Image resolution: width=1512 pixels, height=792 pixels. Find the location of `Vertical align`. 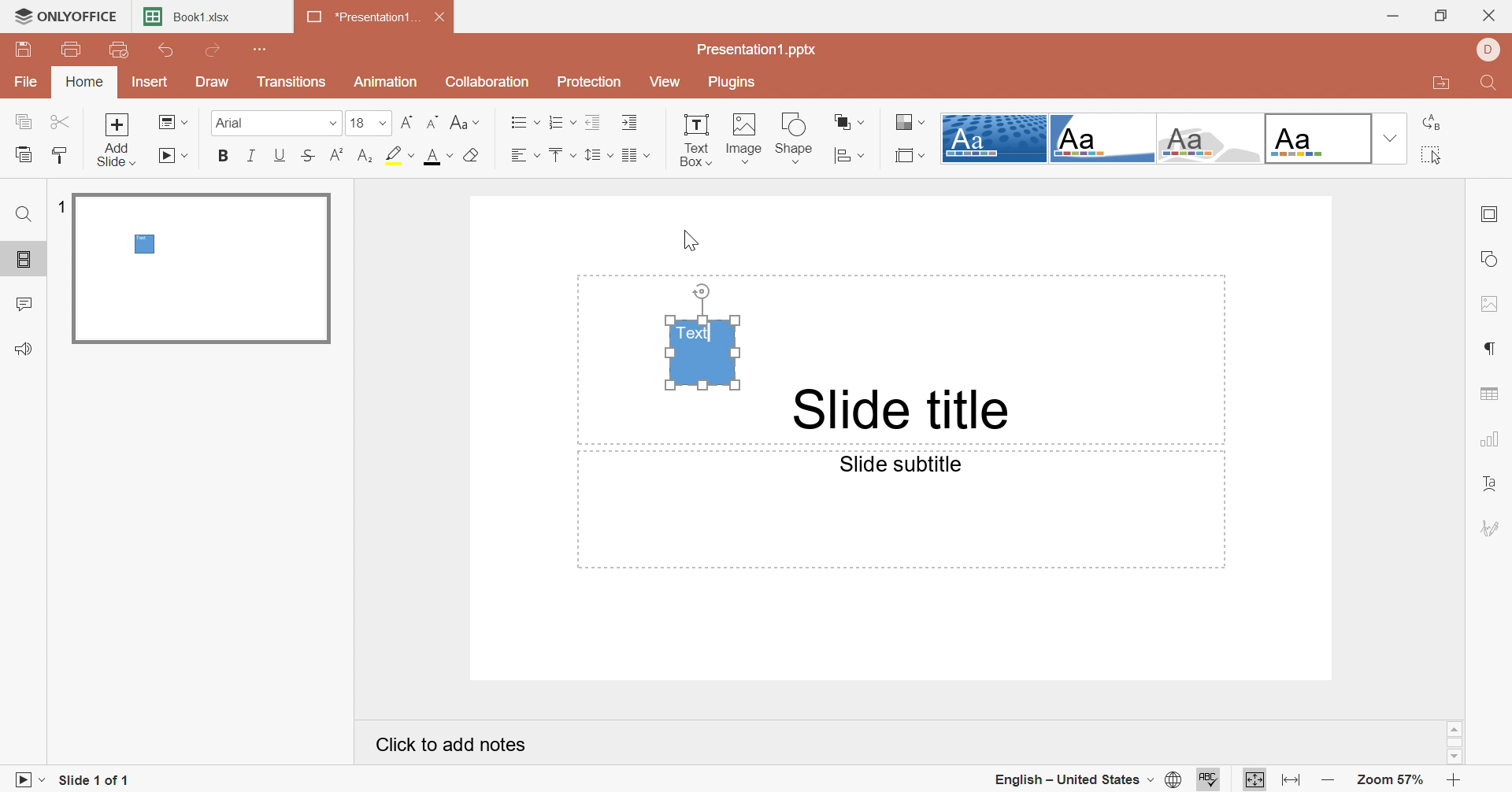

Vertical align is located at coordinates (563, 156).